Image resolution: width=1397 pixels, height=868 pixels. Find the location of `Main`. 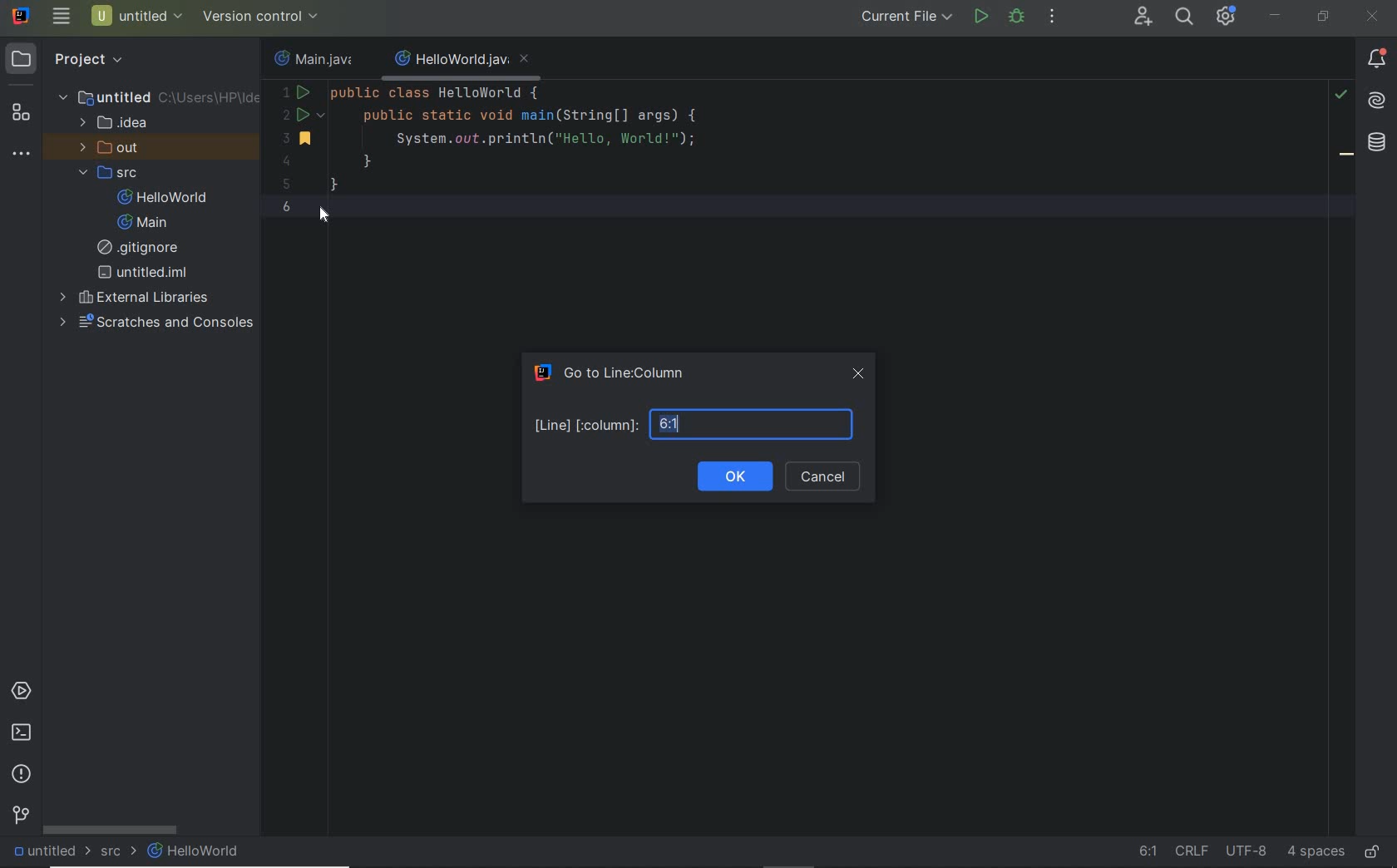

Main is located at coordinates (146, 223).